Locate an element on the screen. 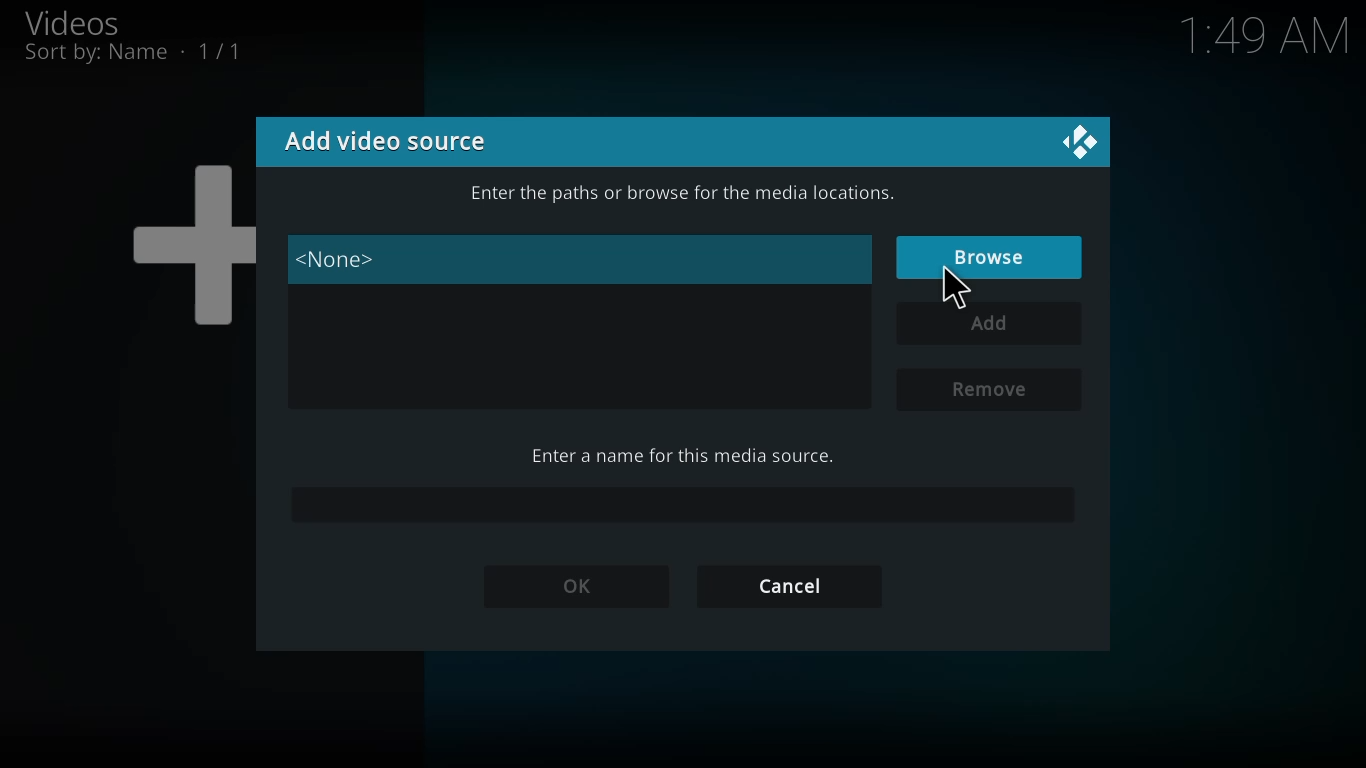 This screenshot has height=768, width=1366. close is located at coordinates (1078, 143).